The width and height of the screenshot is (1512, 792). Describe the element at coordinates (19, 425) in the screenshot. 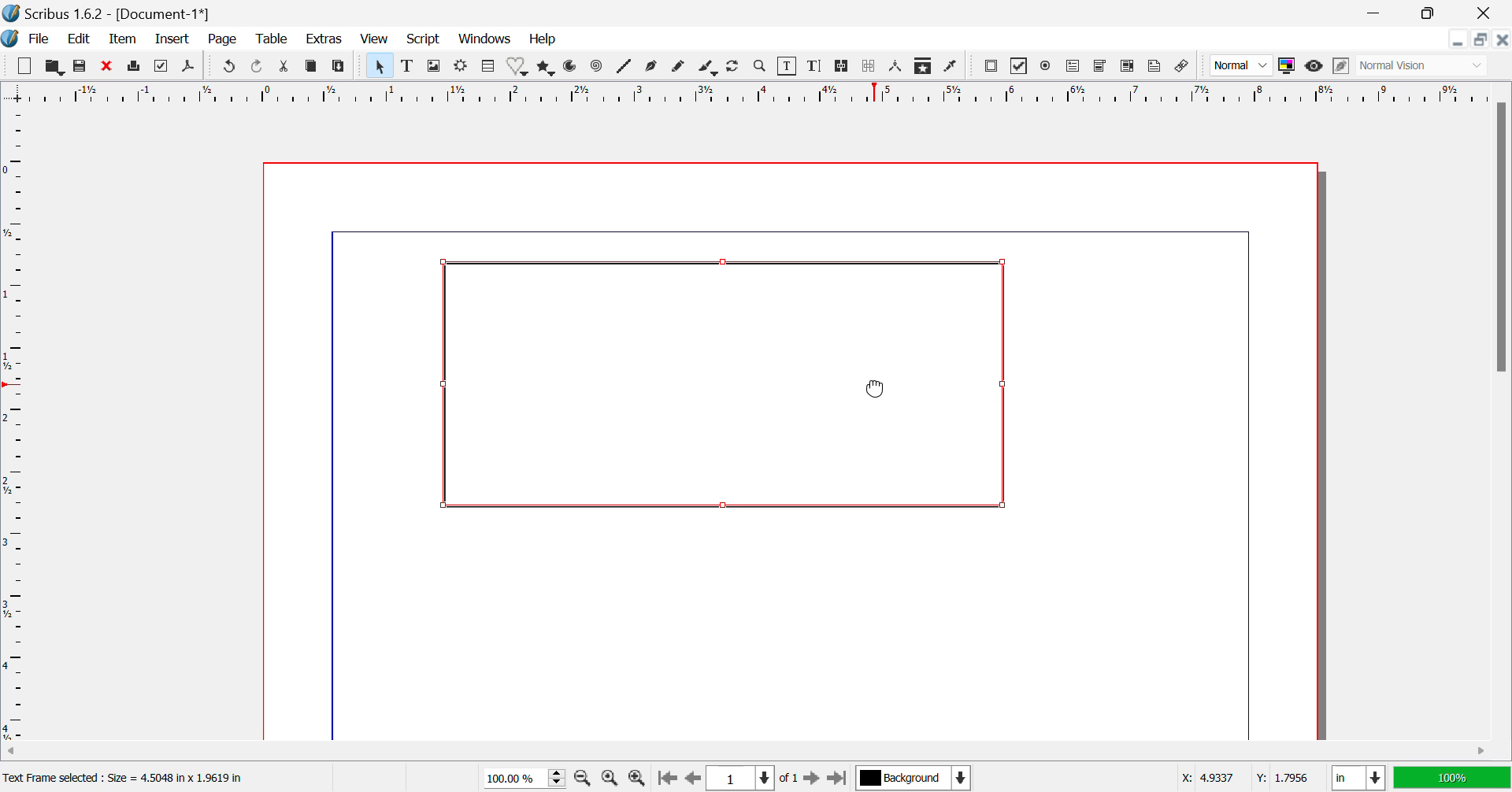

I see `Horizontal Page Margins` at that location.